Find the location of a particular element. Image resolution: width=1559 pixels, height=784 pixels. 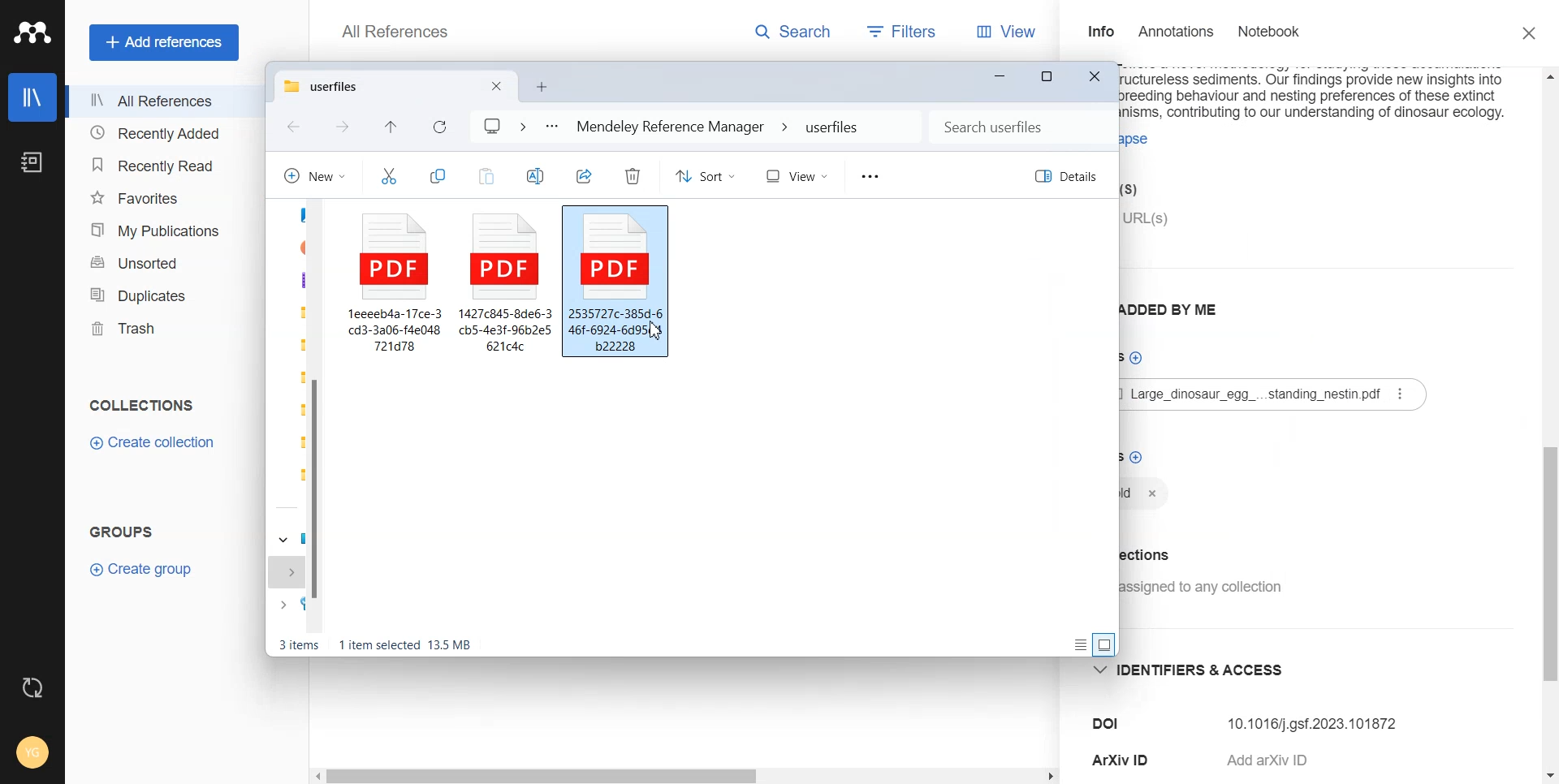

File is located at coordinates (505, 279).